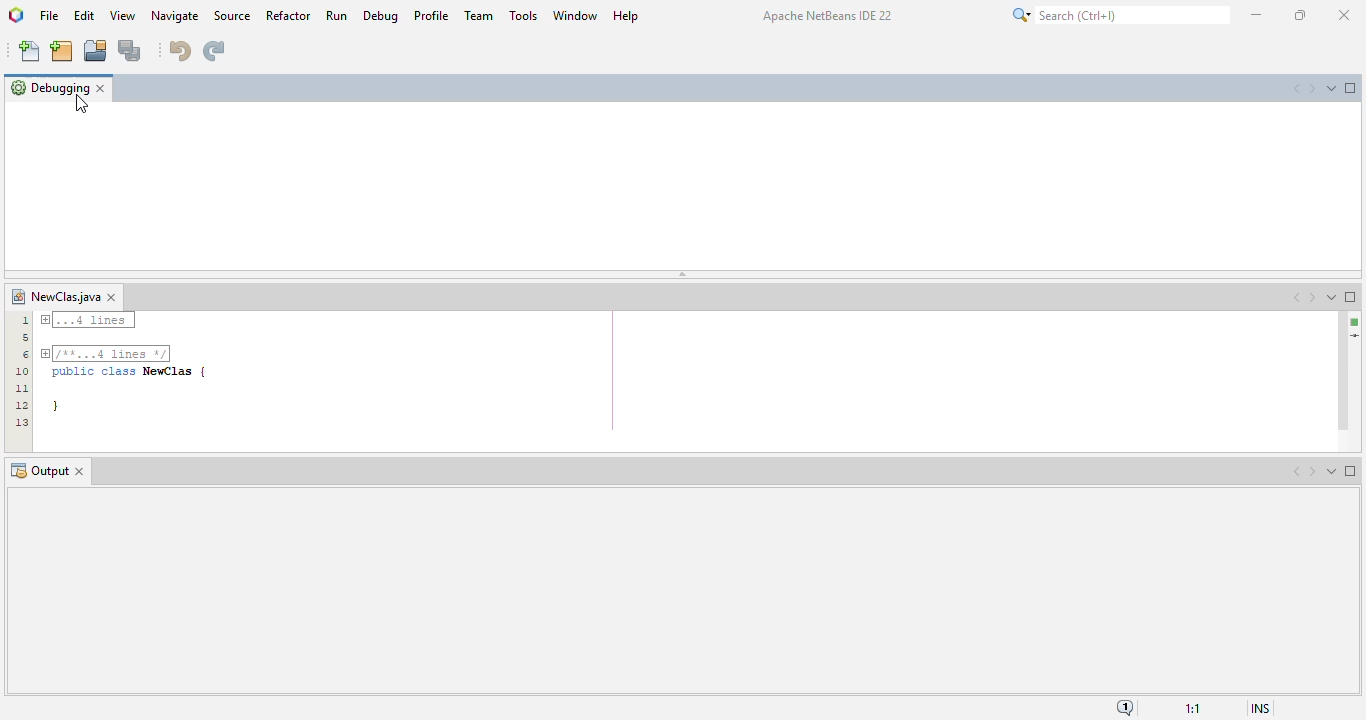 The width and height of the screenshot is (1366, 720). What do you see at coordinates (176, 16) in the screenshot?
I see `navigate` at bounding box center [176, 16].